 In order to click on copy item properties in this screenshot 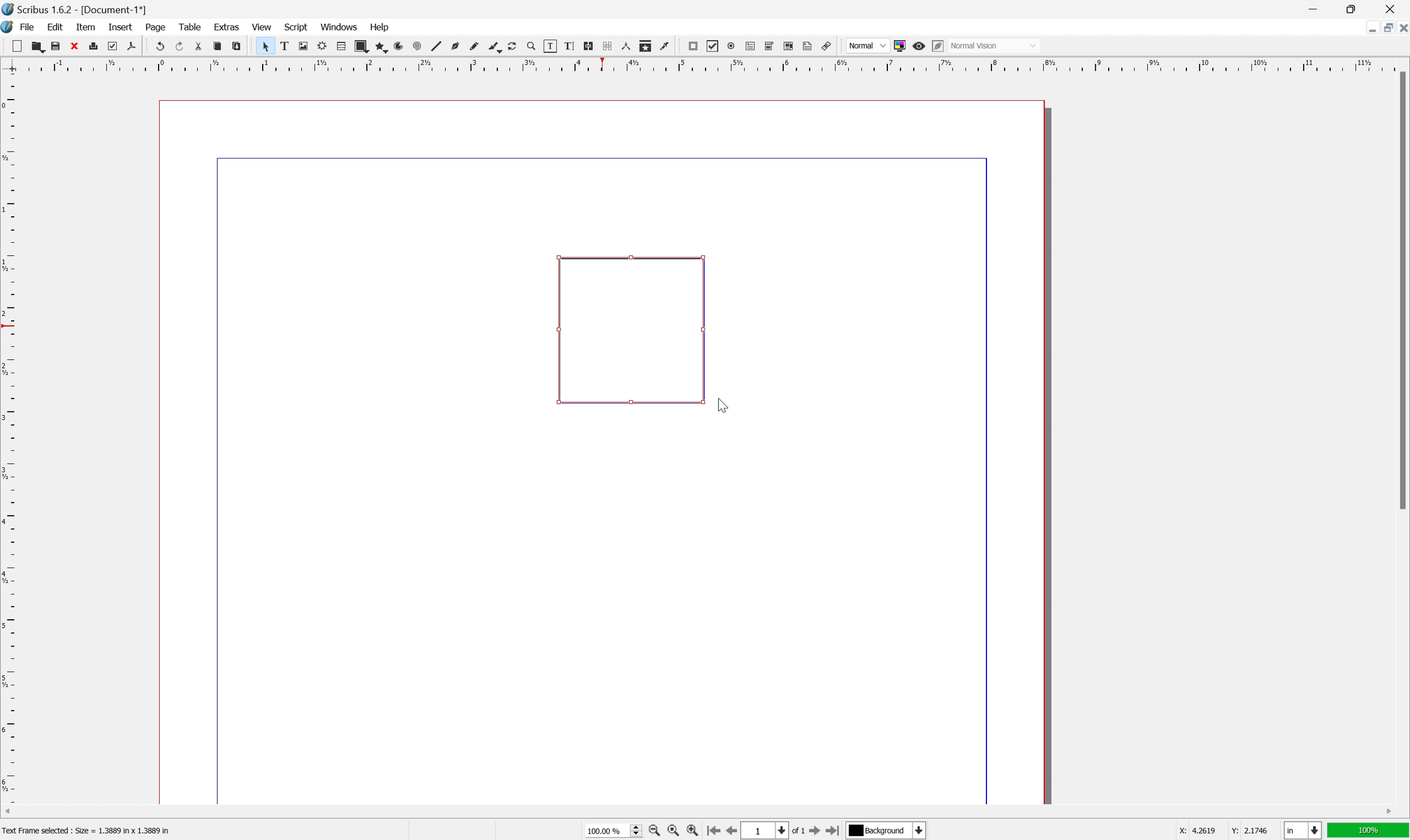, I will do `click(646, 46)`.